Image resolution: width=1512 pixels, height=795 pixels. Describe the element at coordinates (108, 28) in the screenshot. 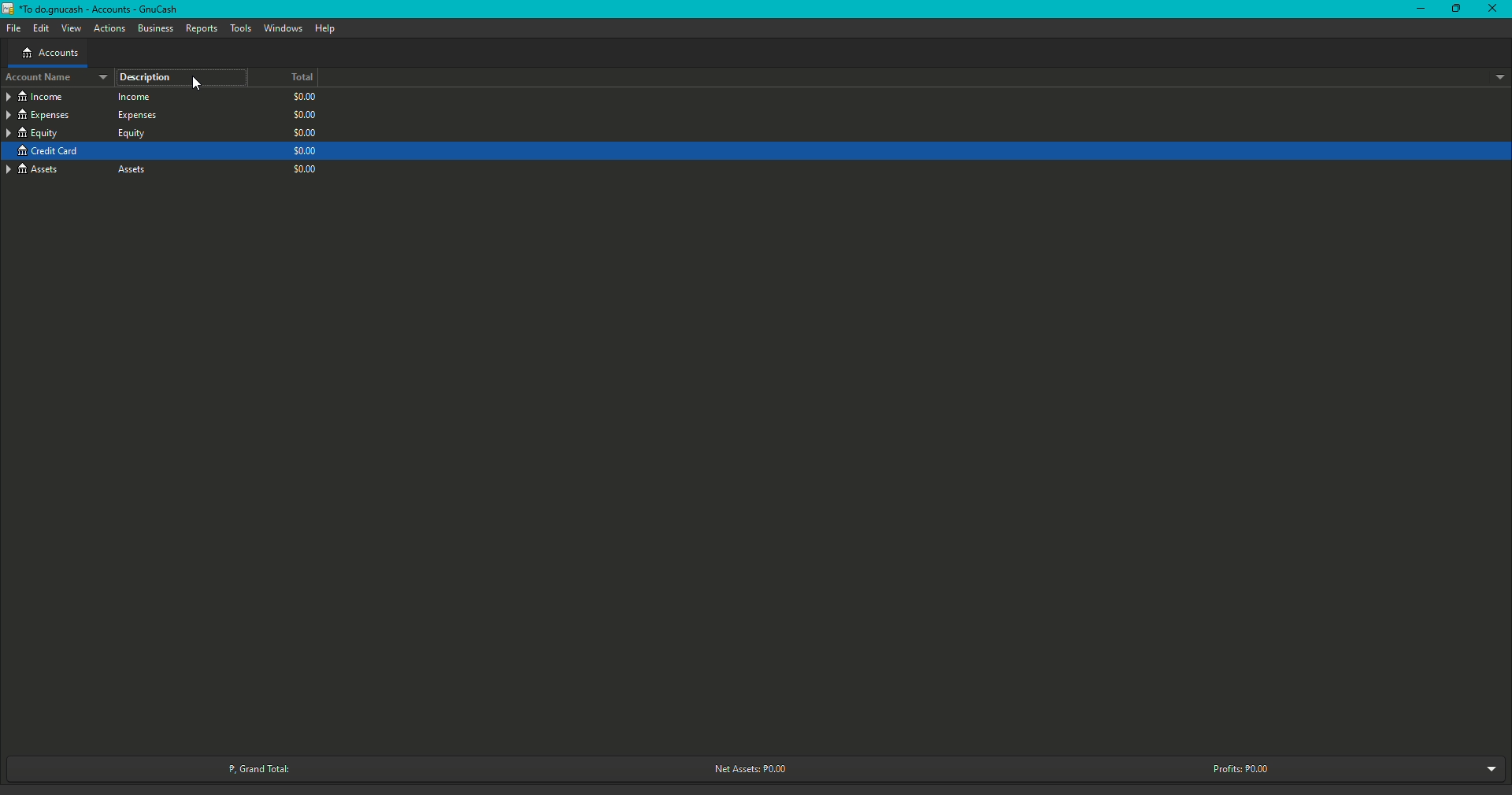

I see `Actions` at that location.